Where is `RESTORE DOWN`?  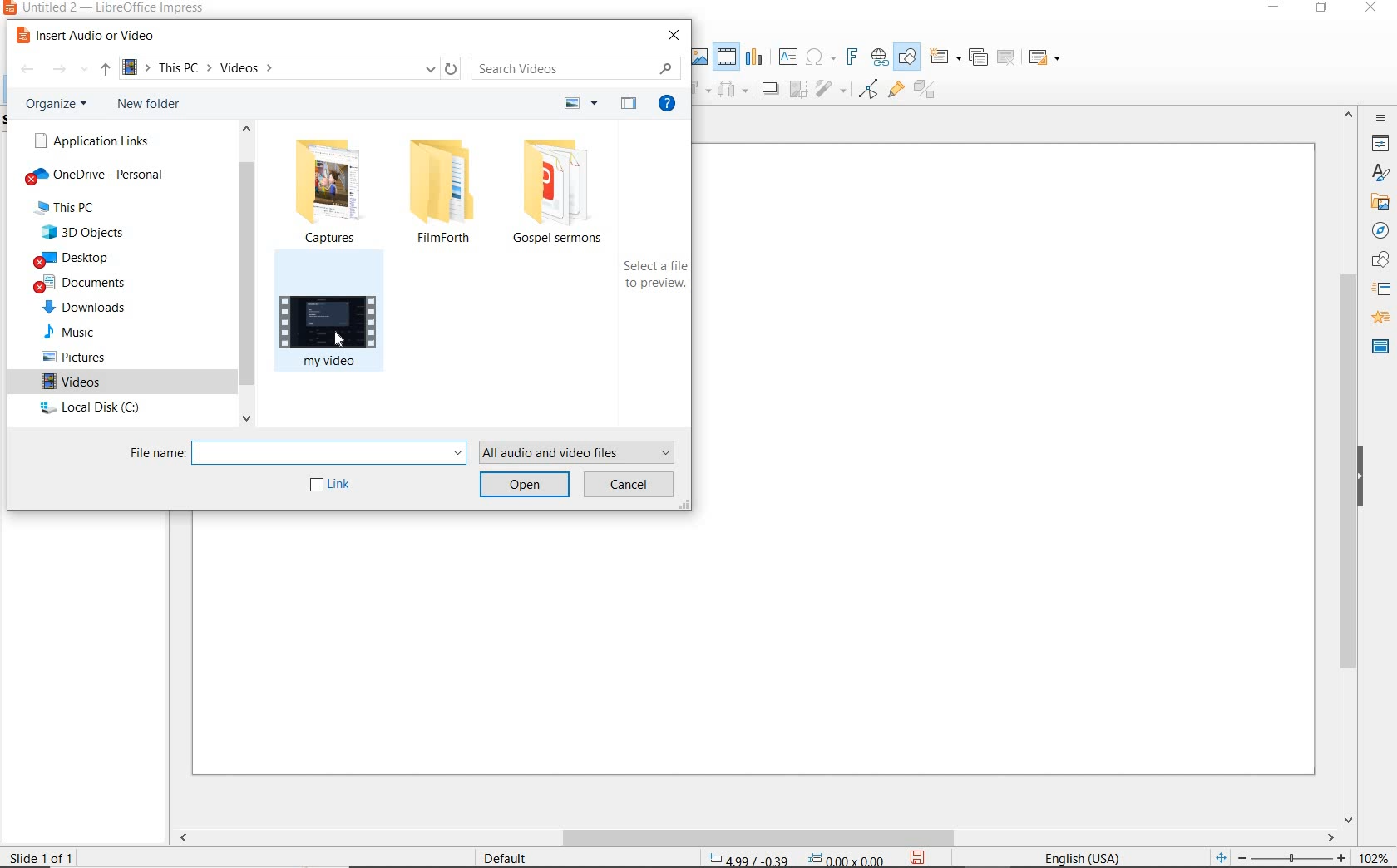
RESTORE DOWN is located at coordinates (1324, 9).